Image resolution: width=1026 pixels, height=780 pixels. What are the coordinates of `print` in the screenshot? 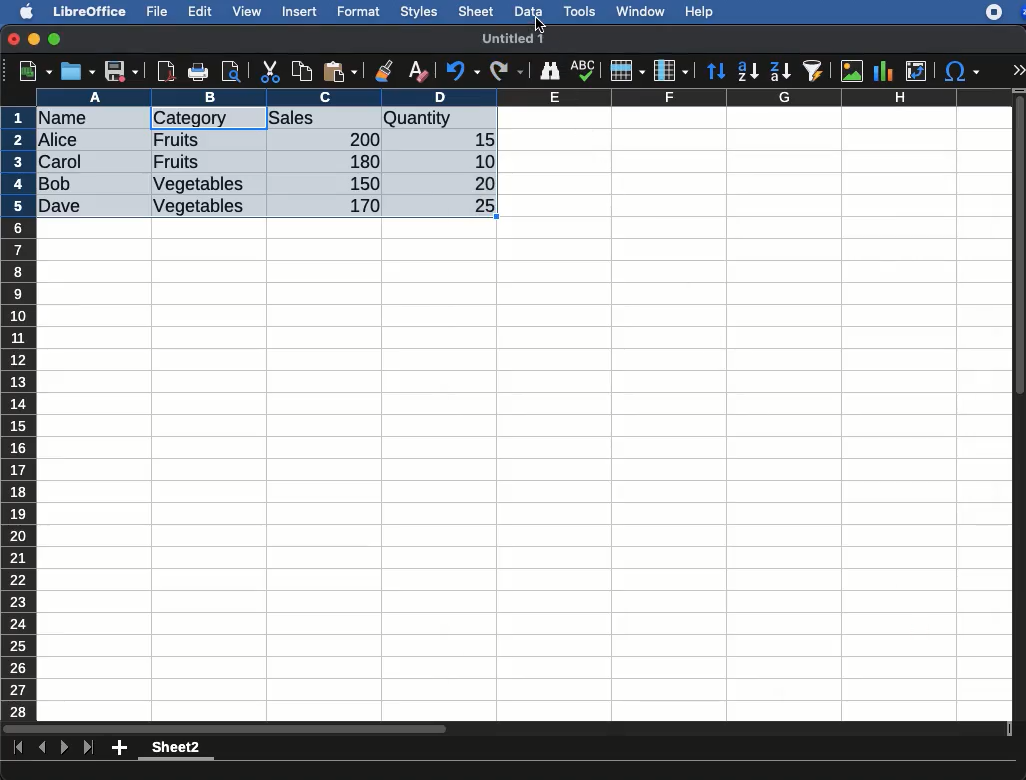 It's located at (198, 72).